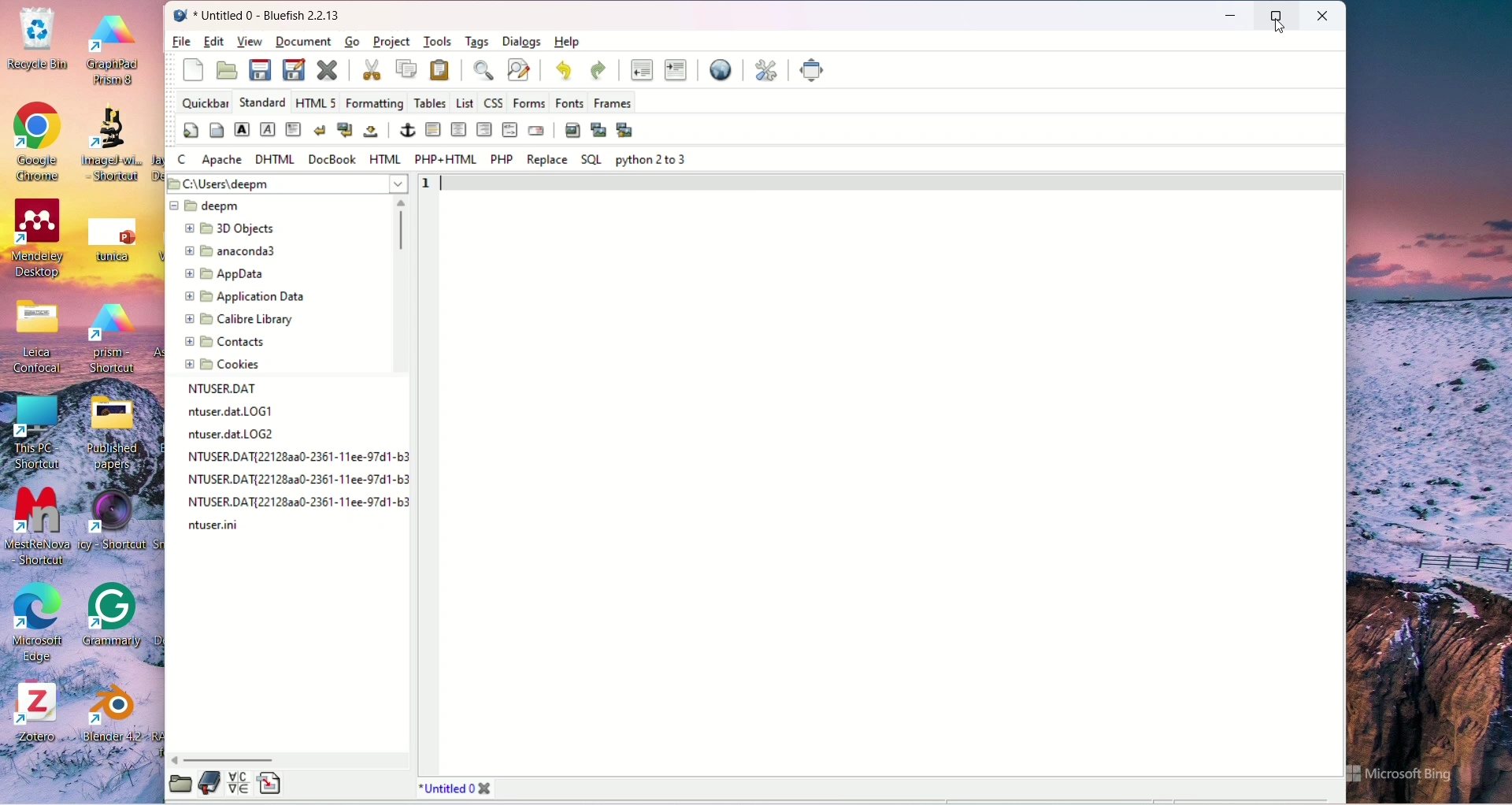 The width and height of the screenshot is (1512, 805). Describe the element at coordinates (321, 129) in the screenshot. I see `break` at that location.